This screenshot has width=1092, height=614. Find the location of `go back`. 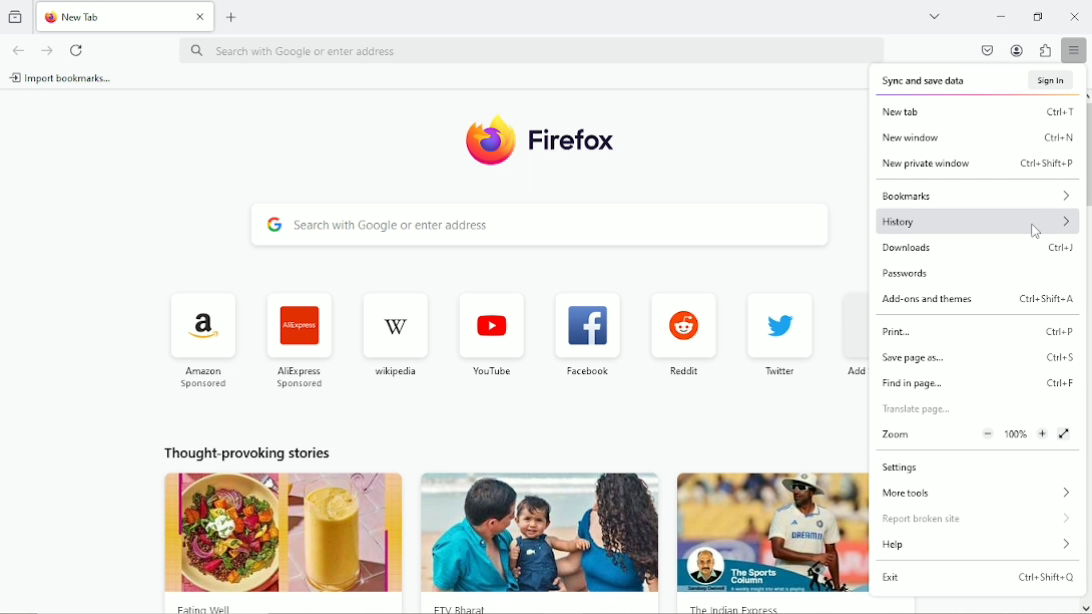

go back is located at coordinates (18, 50).